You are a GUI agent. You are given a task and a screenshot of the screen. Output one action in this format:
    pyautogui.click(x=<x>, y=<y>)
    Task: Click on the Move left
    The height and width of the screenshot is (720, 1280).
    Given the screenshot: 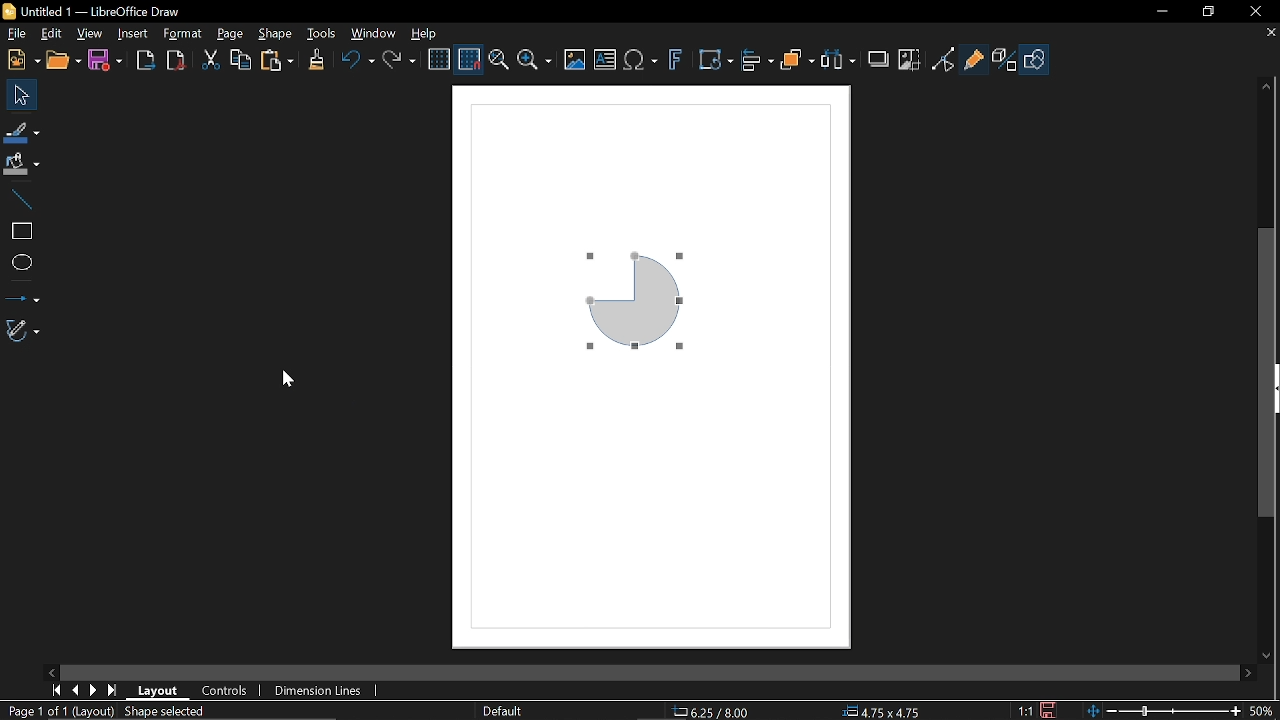 What is the action you would take?
    pyautogui.click(x=51, y=673)
    